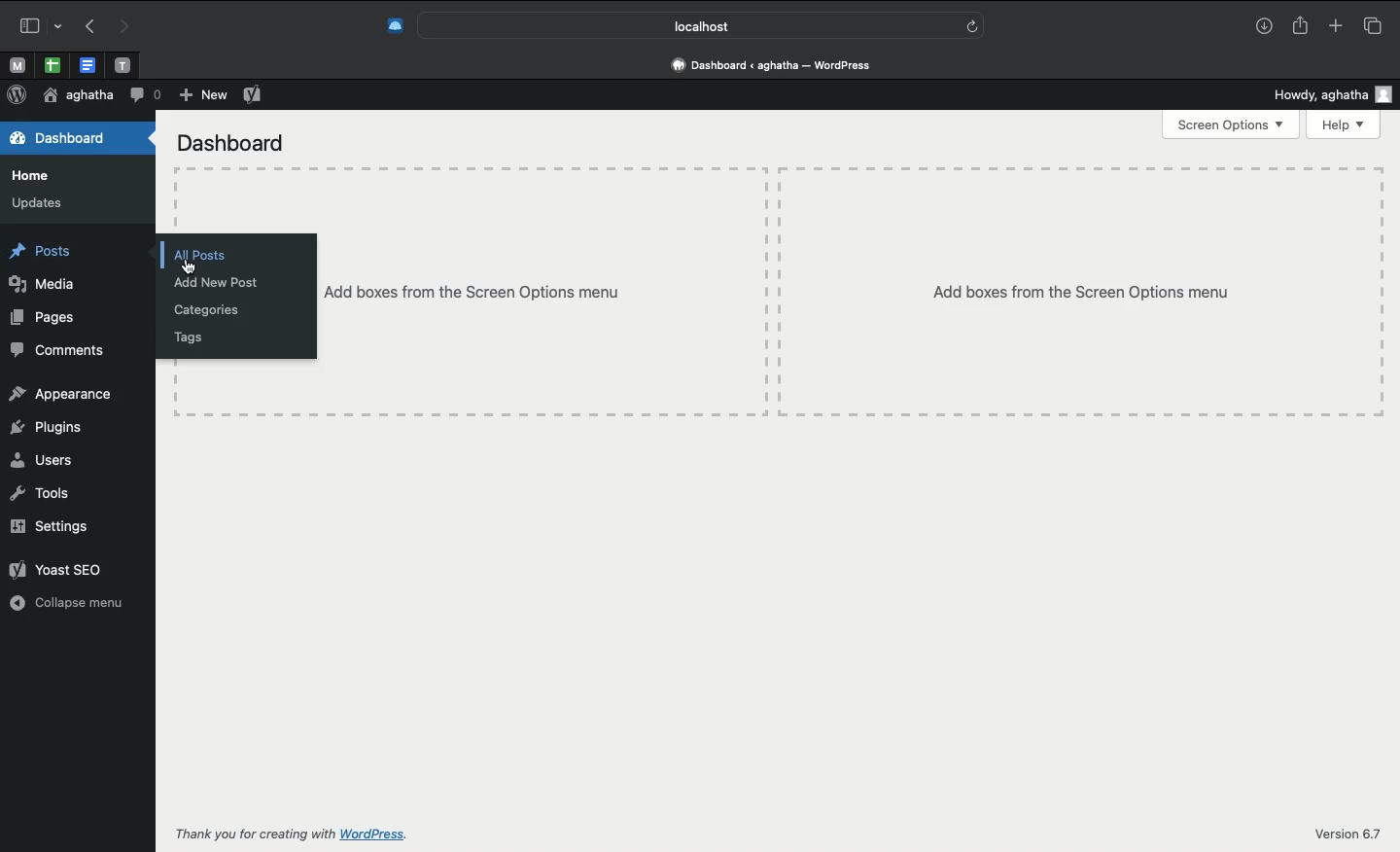  I want to click on Click all posts, so click(206, 255).